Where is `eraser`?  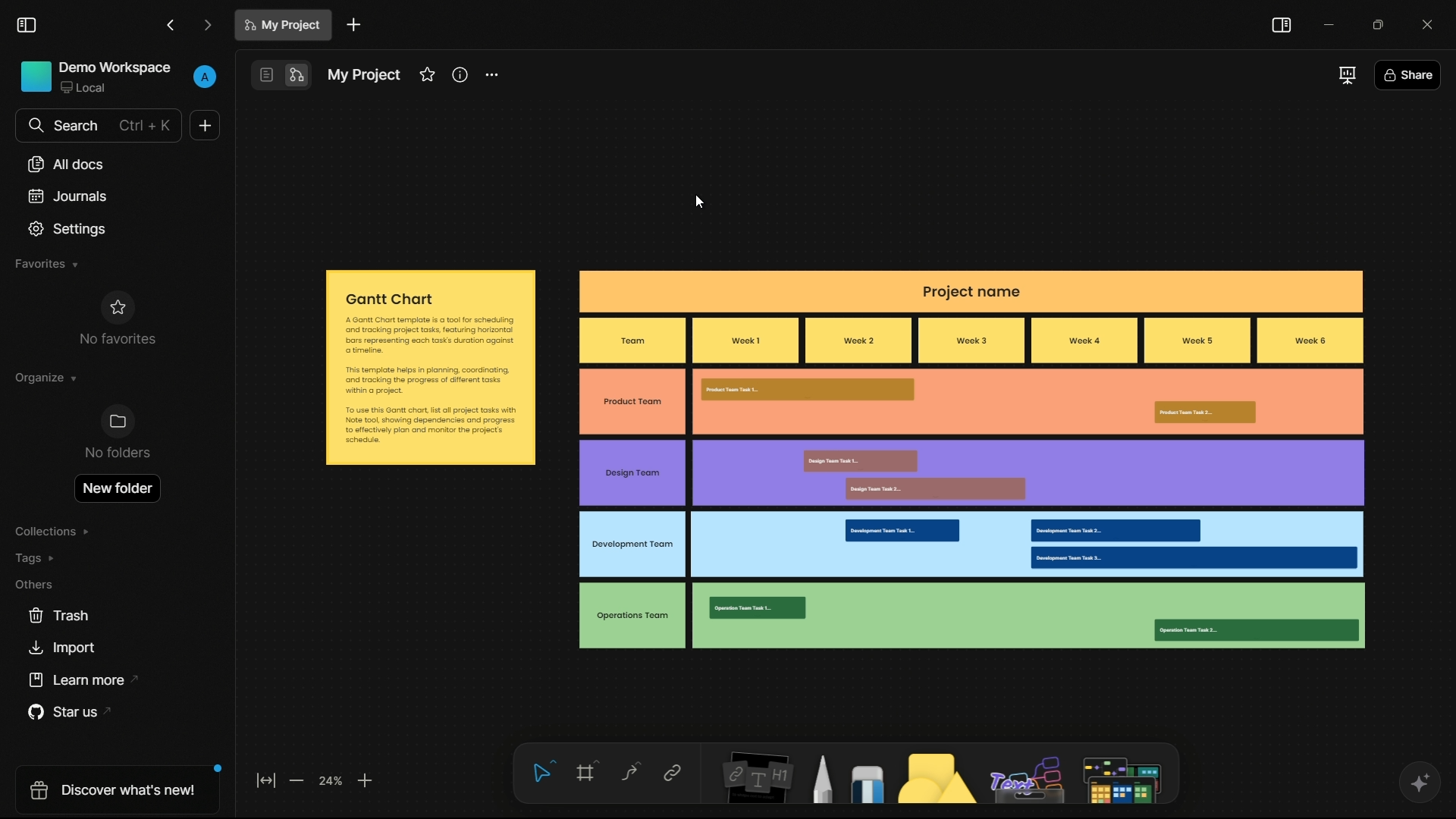 eraser is located at coordinates (871, 784).